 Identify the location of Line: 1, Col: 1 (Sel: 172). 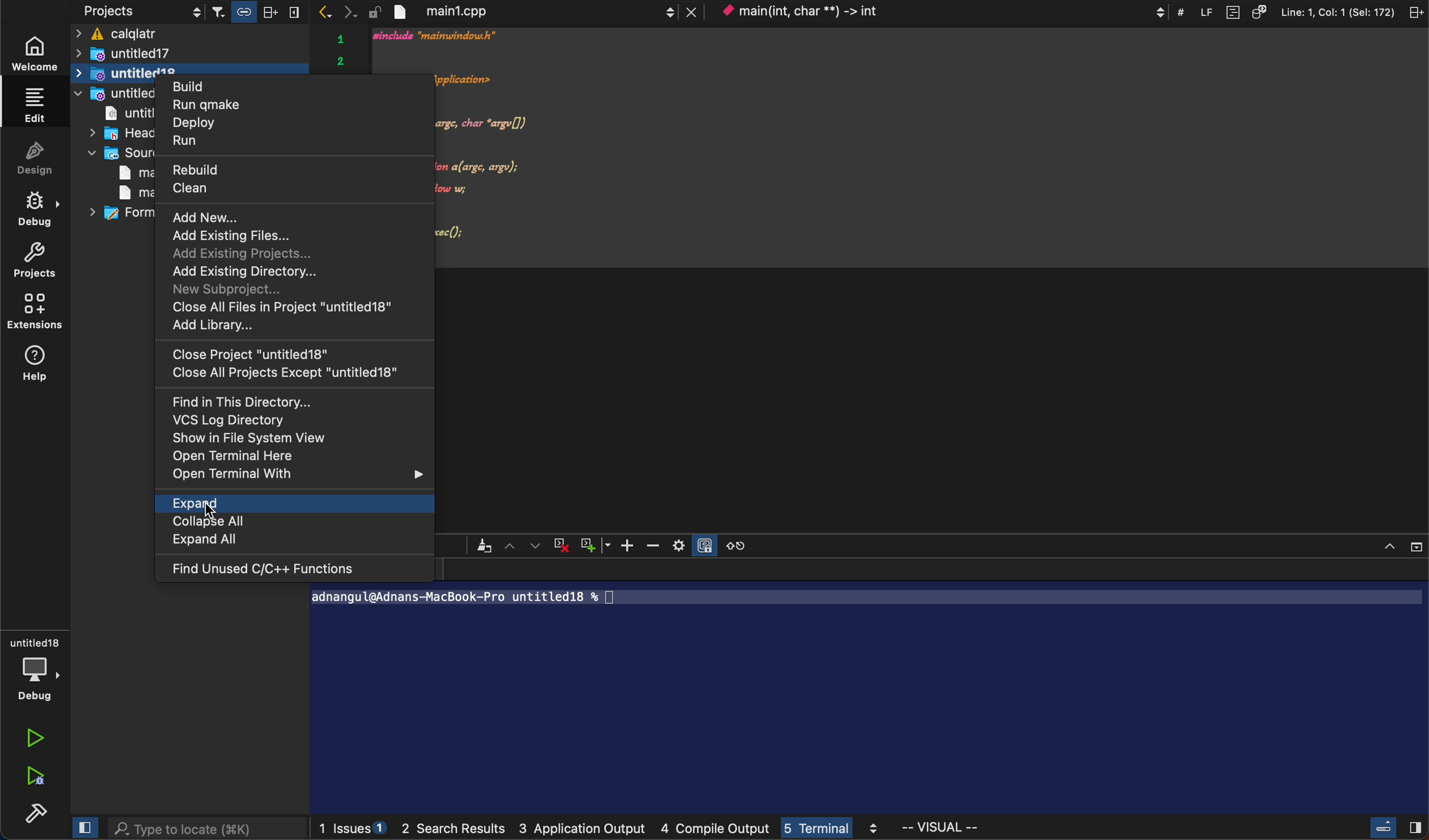
(1338, 11).